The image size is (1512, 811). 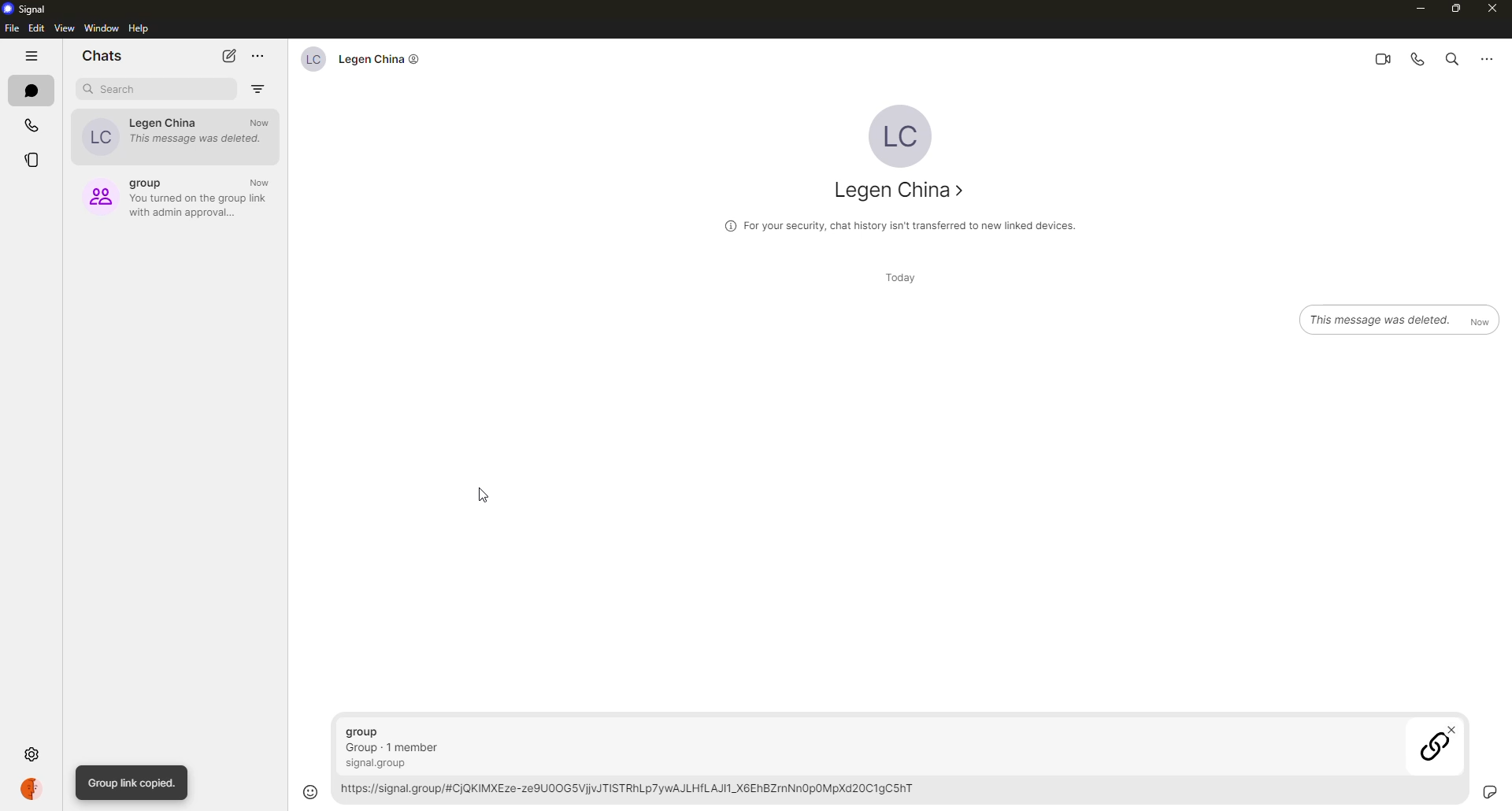 What do you see at coordinates (141, 29) in the screenshot?
I see `help` at bounding box center [141, 29].